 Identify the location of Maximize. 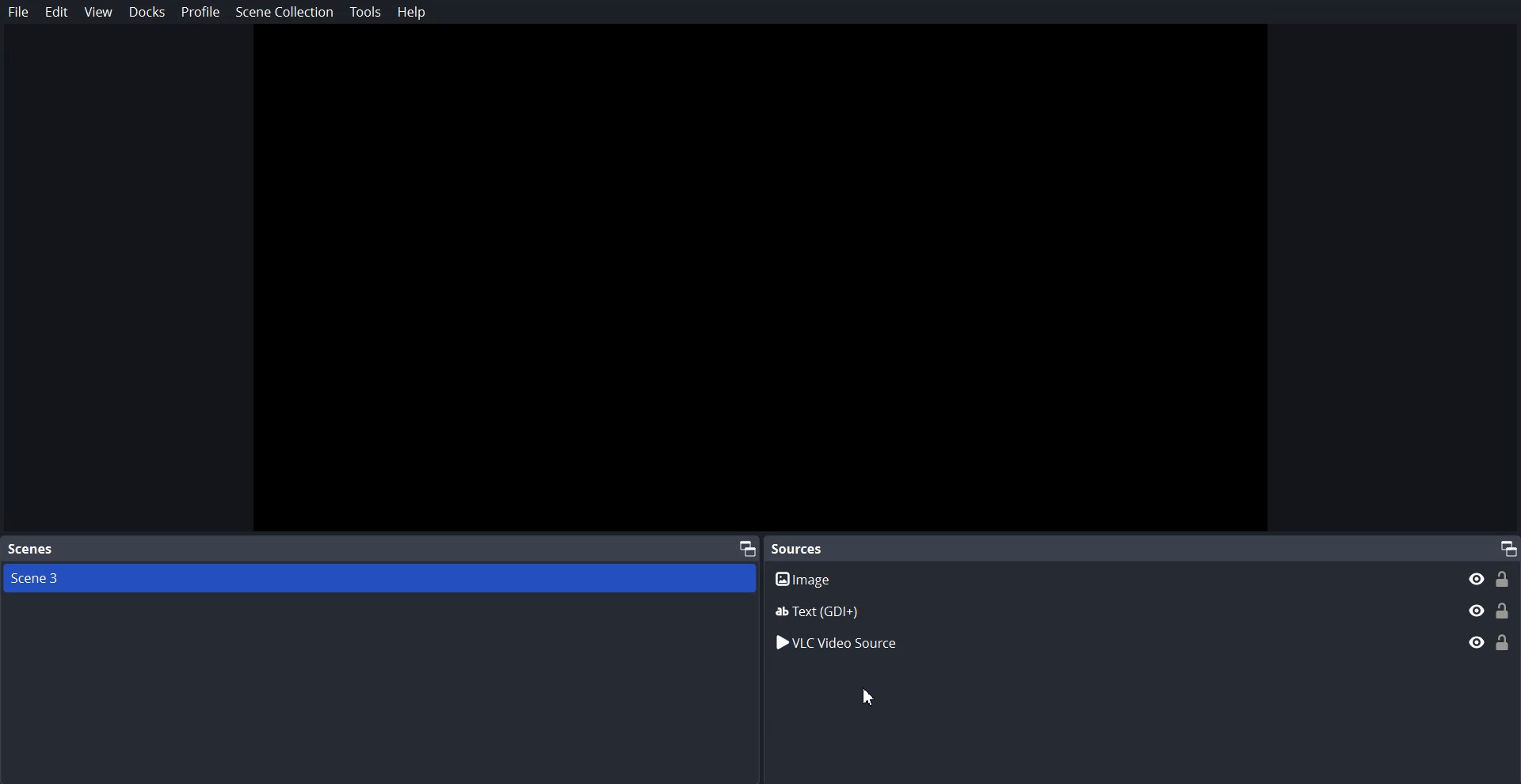
(1508, 547).